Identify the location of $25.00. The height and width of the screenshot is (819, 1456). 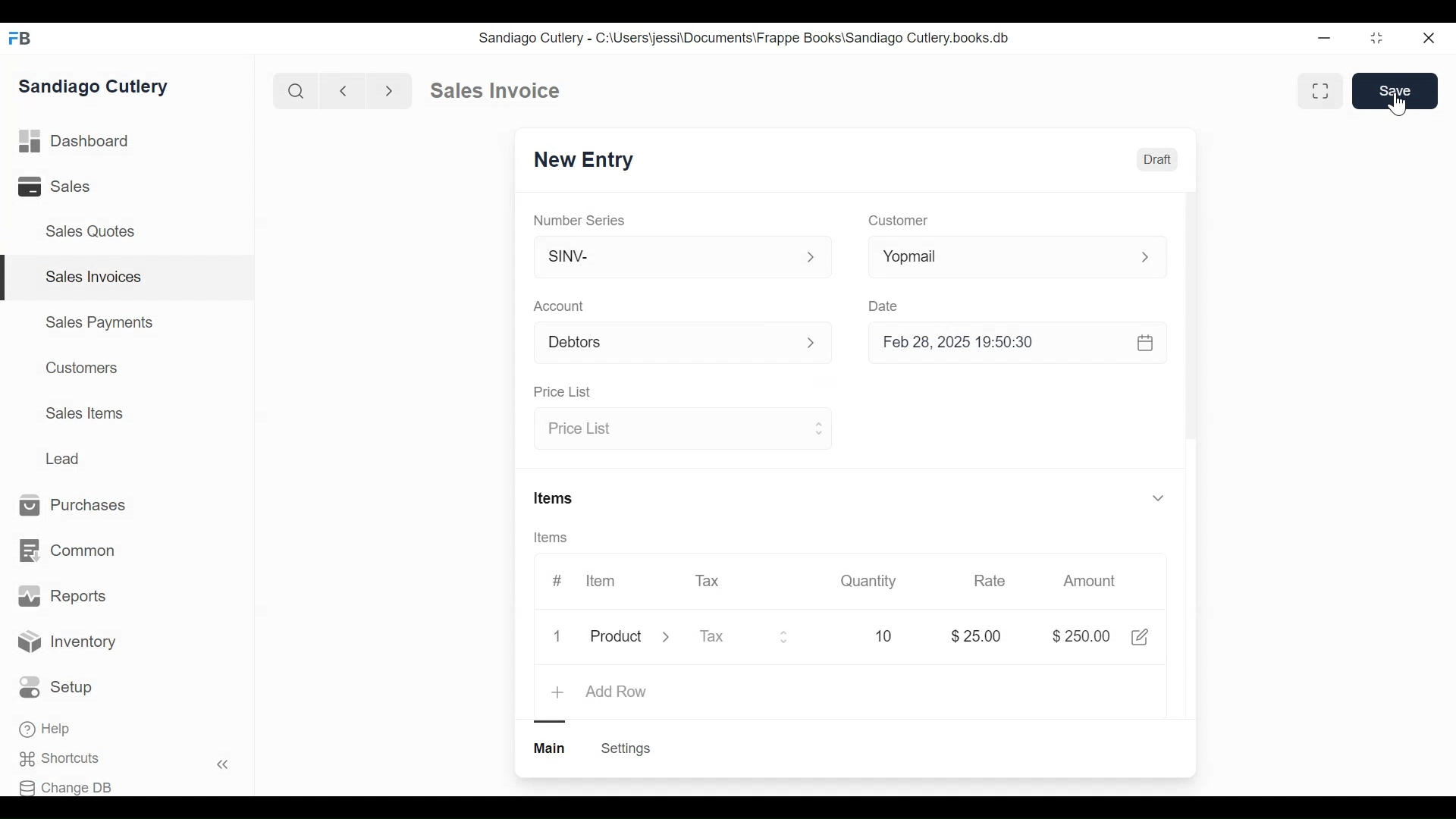
(1081, 636).